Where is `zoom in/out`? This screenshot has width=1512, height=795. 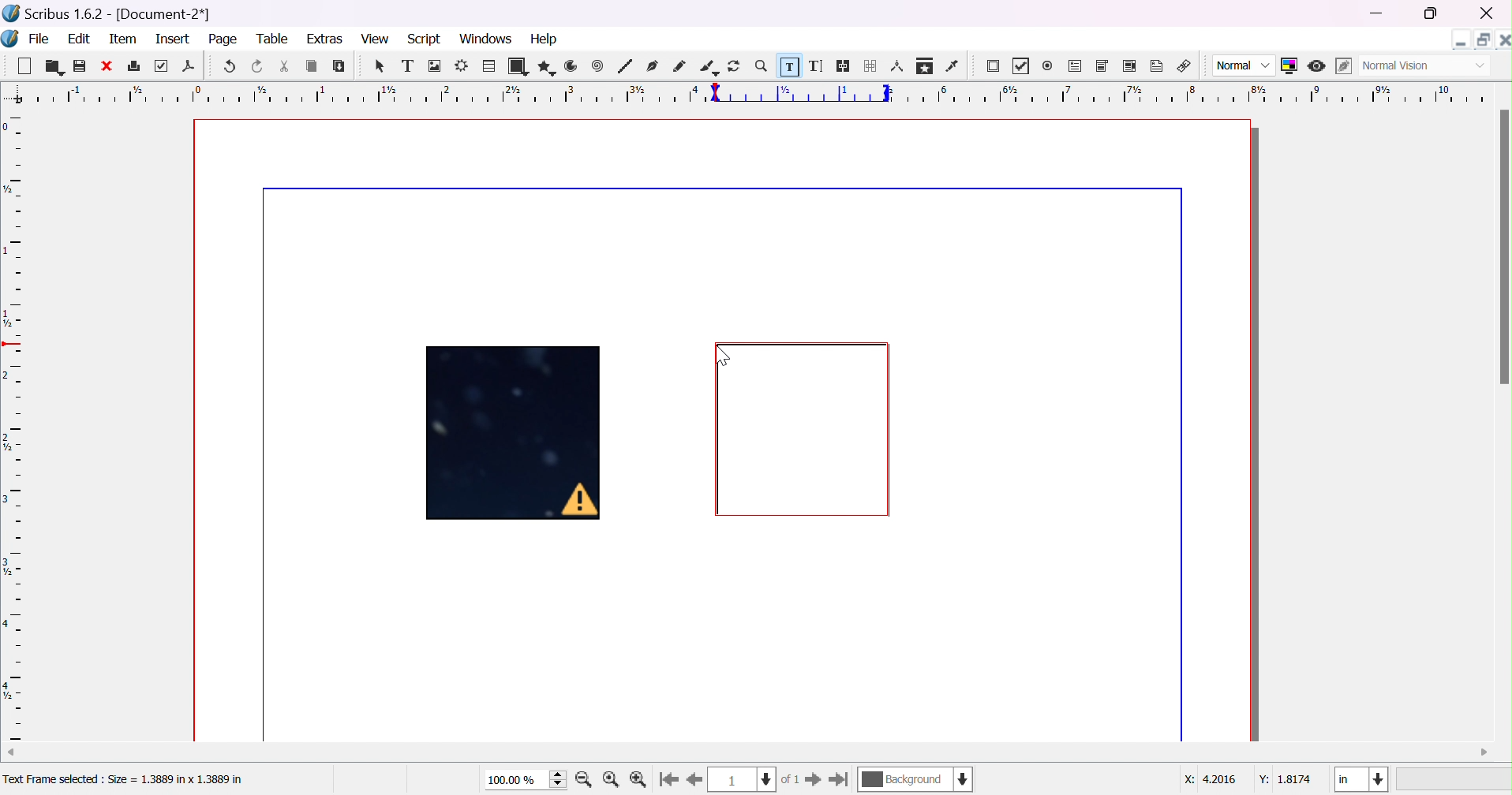
zoom in/out is located at coordinates (762, 65).